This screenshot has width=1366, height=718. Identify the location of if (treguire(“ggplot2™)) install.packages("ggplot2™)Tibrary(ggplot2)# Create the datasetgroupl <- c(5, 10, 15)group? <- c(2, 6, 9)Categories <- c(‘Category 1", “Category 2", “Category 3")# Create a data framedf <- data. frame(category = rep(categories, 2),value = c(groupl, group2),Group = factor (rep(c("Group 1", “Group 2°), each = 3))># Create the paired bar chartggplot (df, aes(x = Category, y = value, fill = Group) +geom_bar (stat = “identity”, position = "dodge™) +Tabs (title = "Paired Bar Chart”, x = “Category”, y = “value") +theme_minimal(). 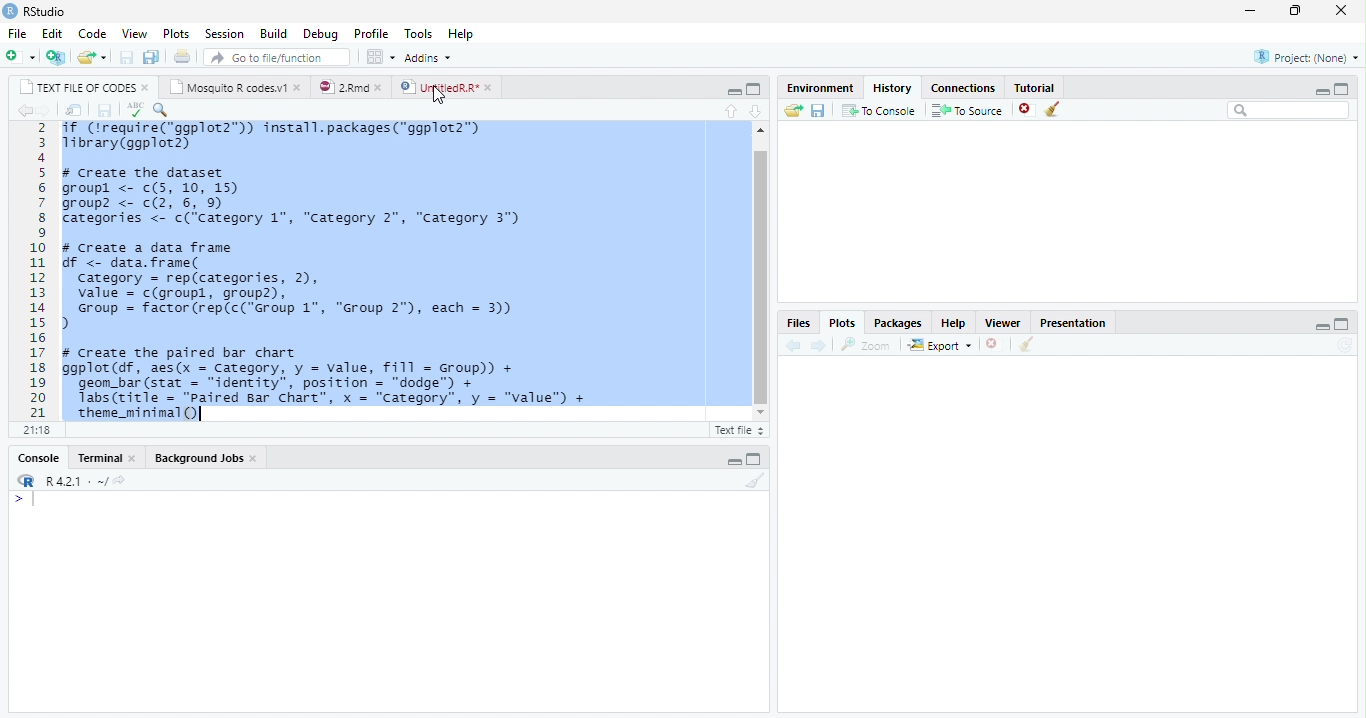
(347, 270).